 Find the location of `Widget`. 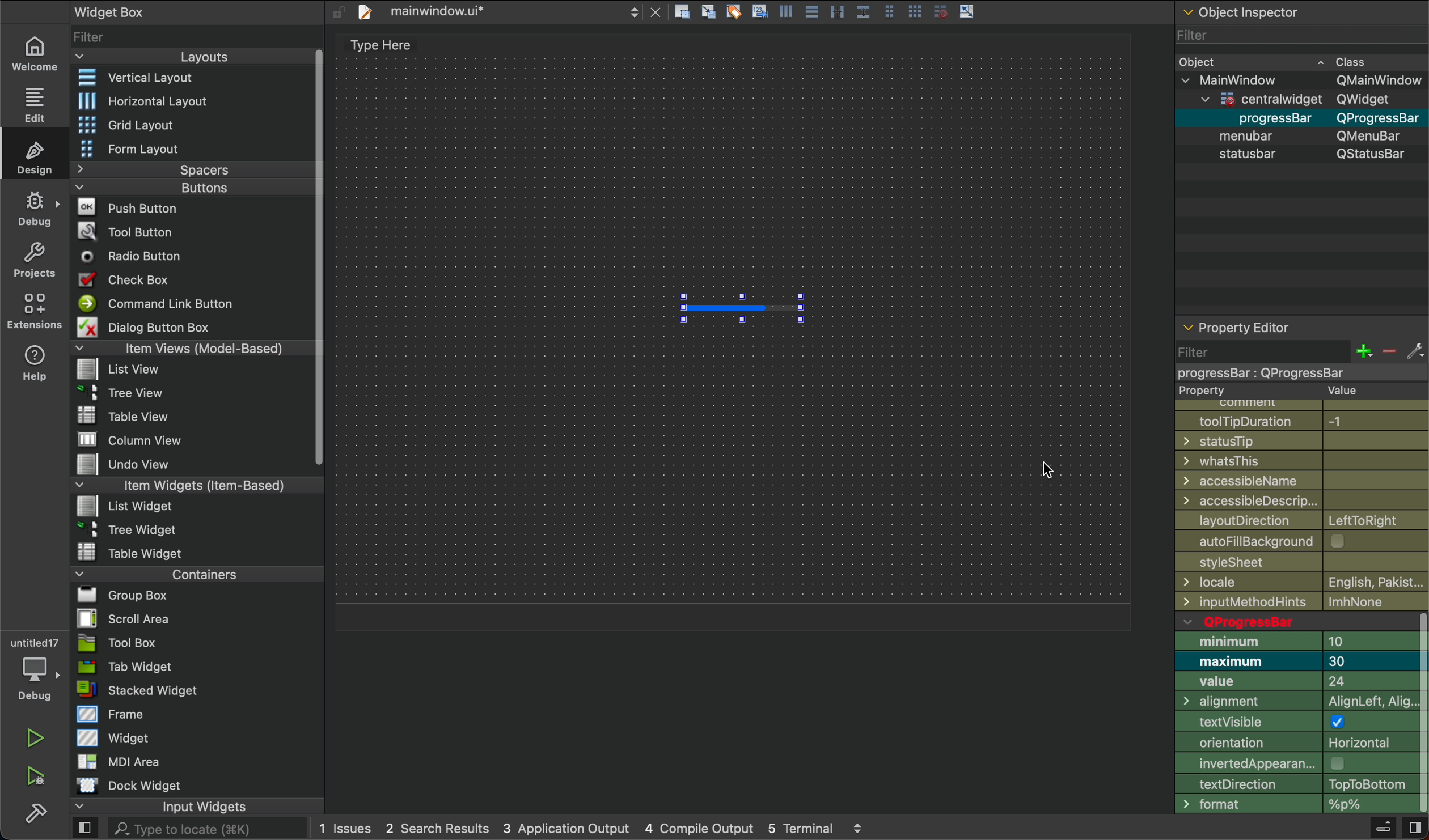

Widget is located at coordinates (116, 737).